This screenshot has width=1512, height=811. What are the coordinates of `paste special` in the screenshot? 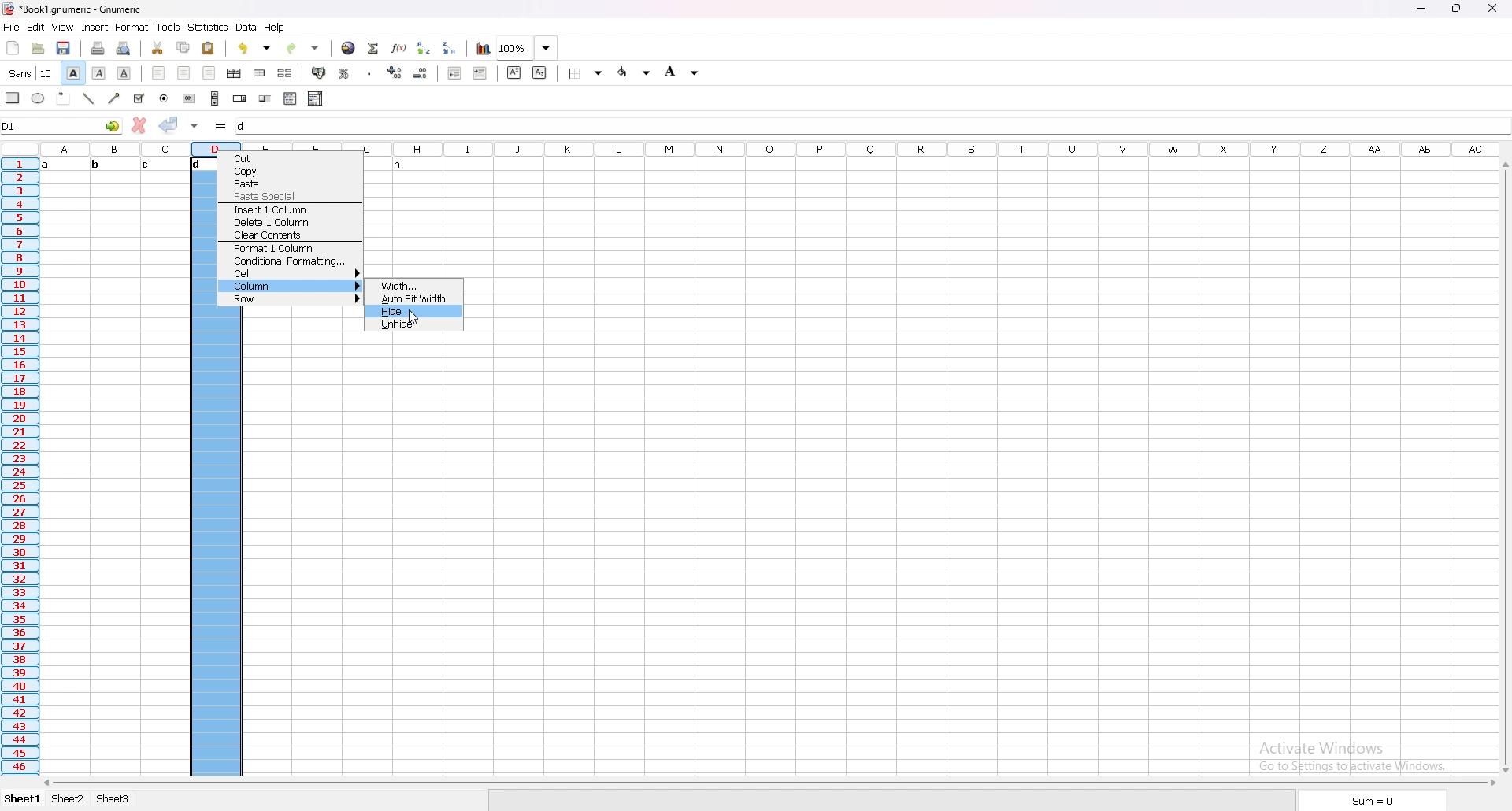 It's located at (291, 197).